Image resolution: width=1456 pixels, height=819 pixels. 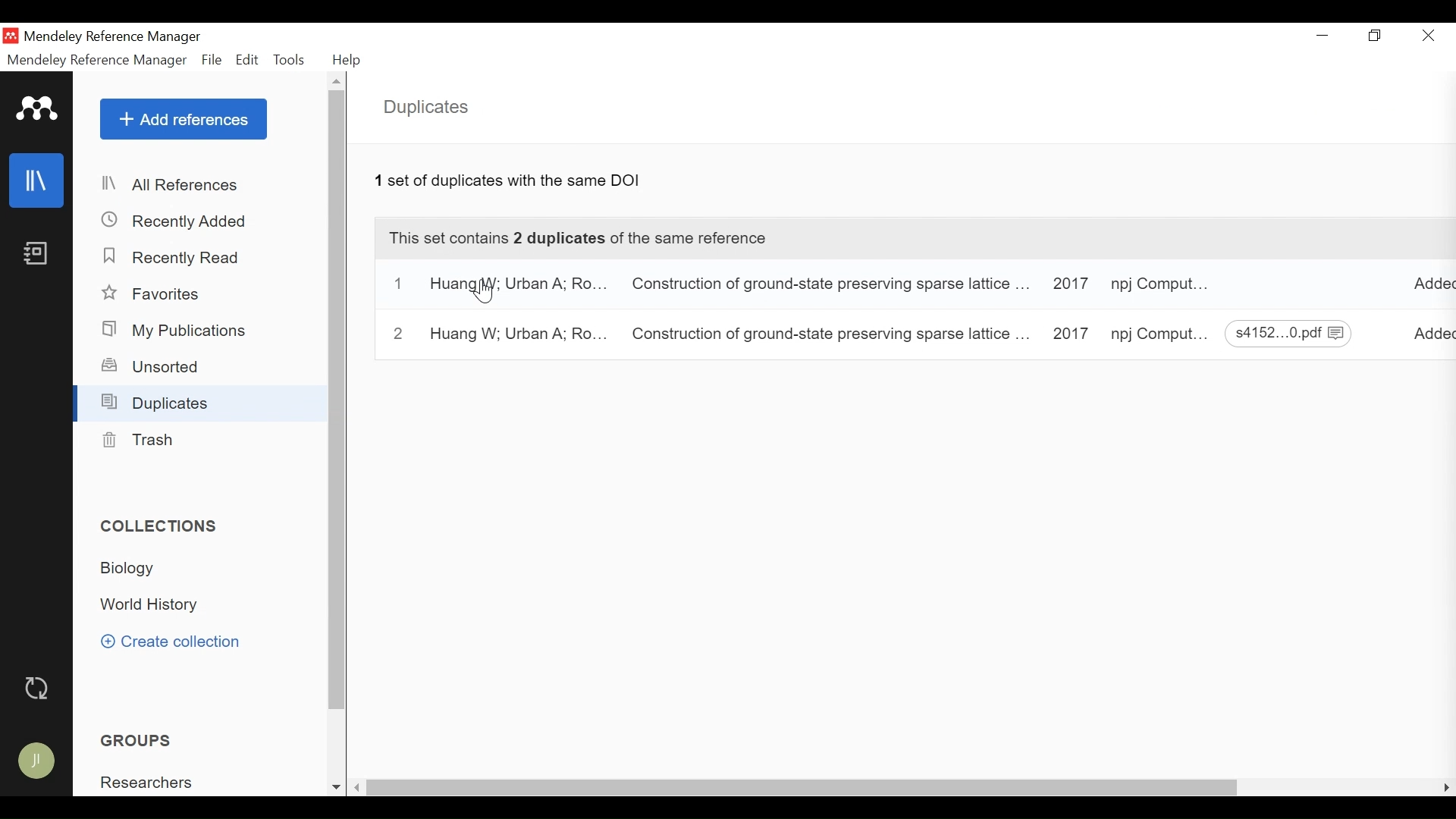 What do you see at coordinates (1378, 36) in the screenshot?
I see `Restore` at bounding box center [1378, 36].